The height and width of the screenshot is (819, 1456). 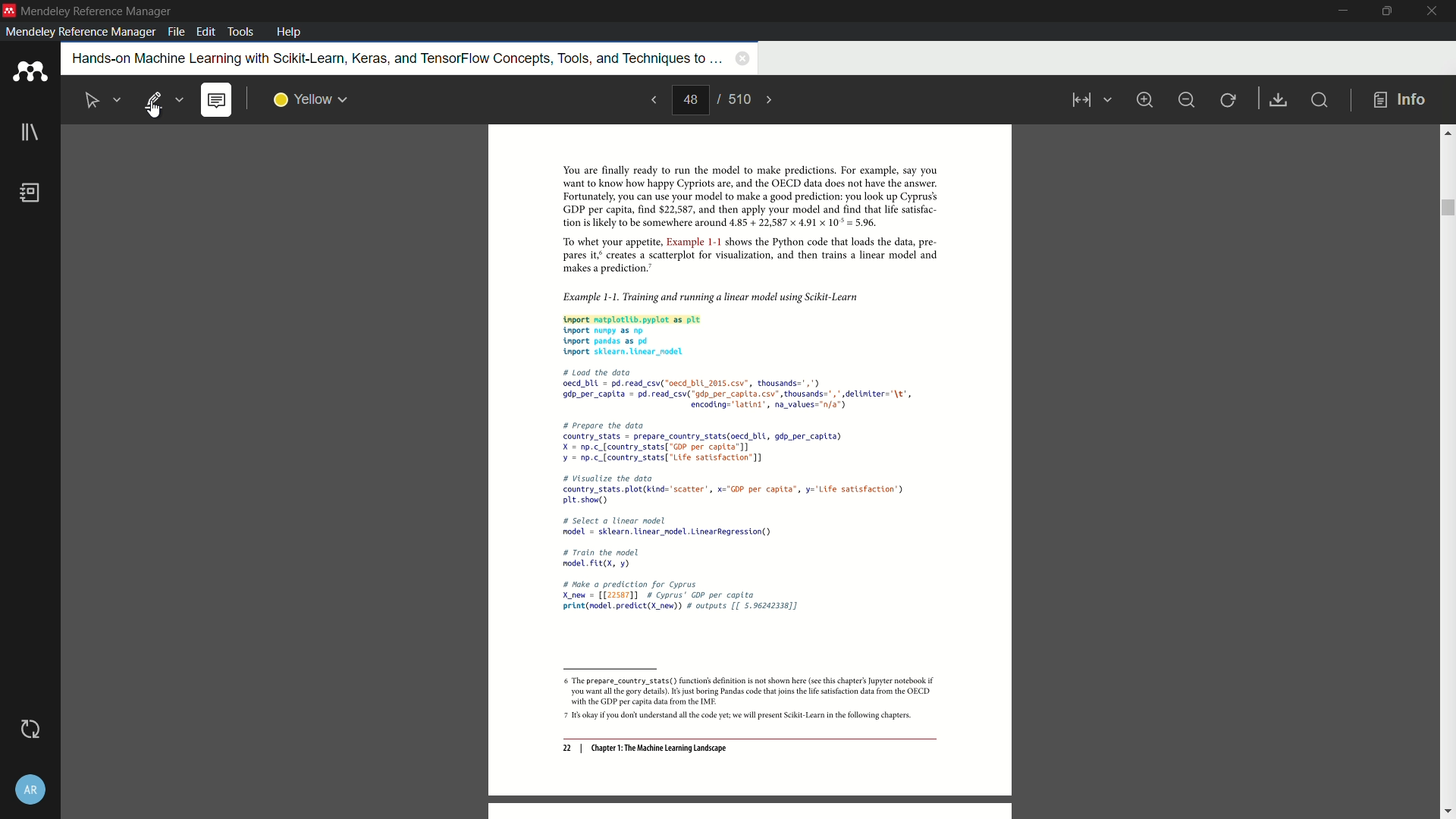 I want to click on library, so click(x=30, y=133).